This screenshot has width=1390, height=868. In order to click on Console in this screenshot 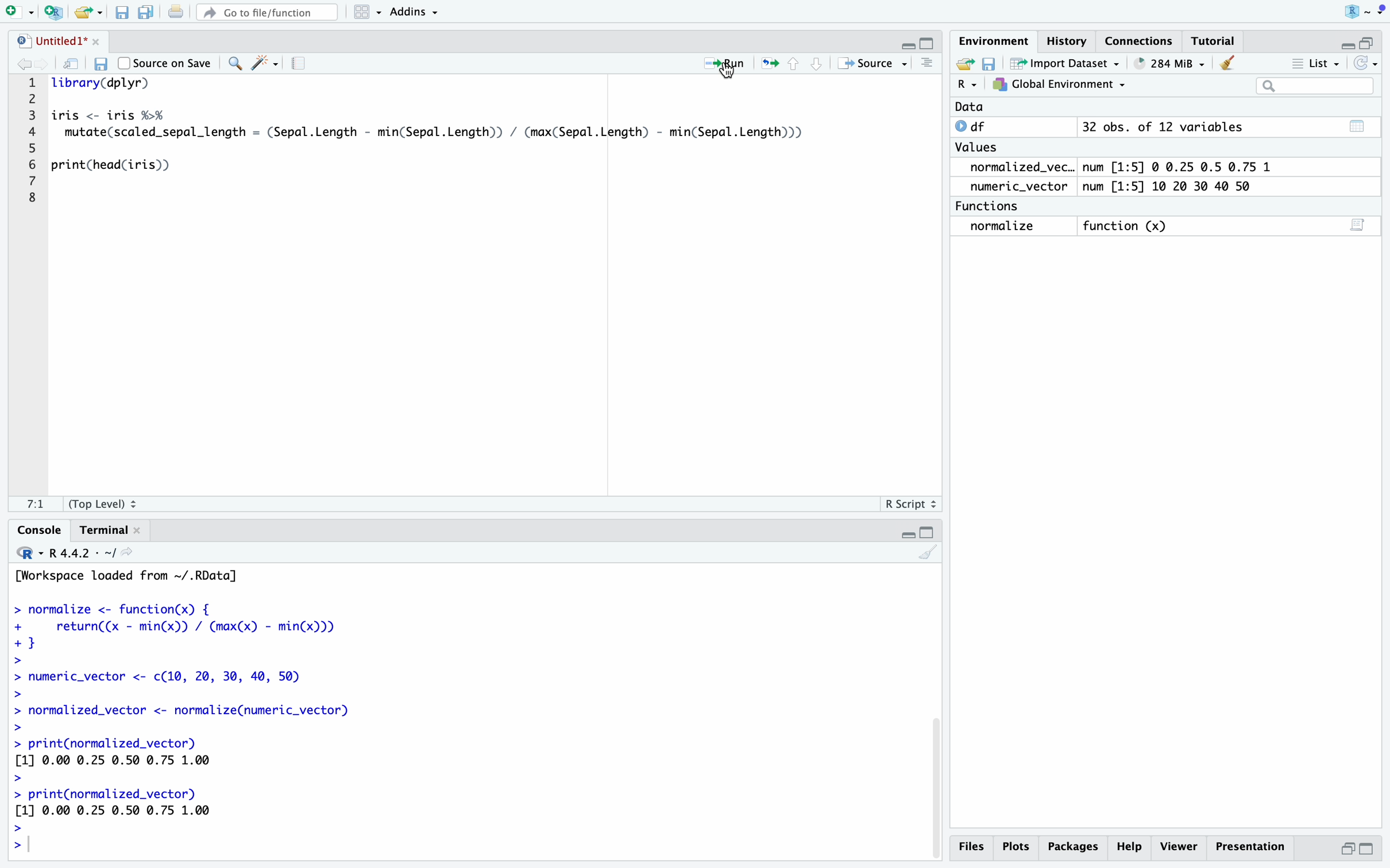, I will do `click(37, 529)`.